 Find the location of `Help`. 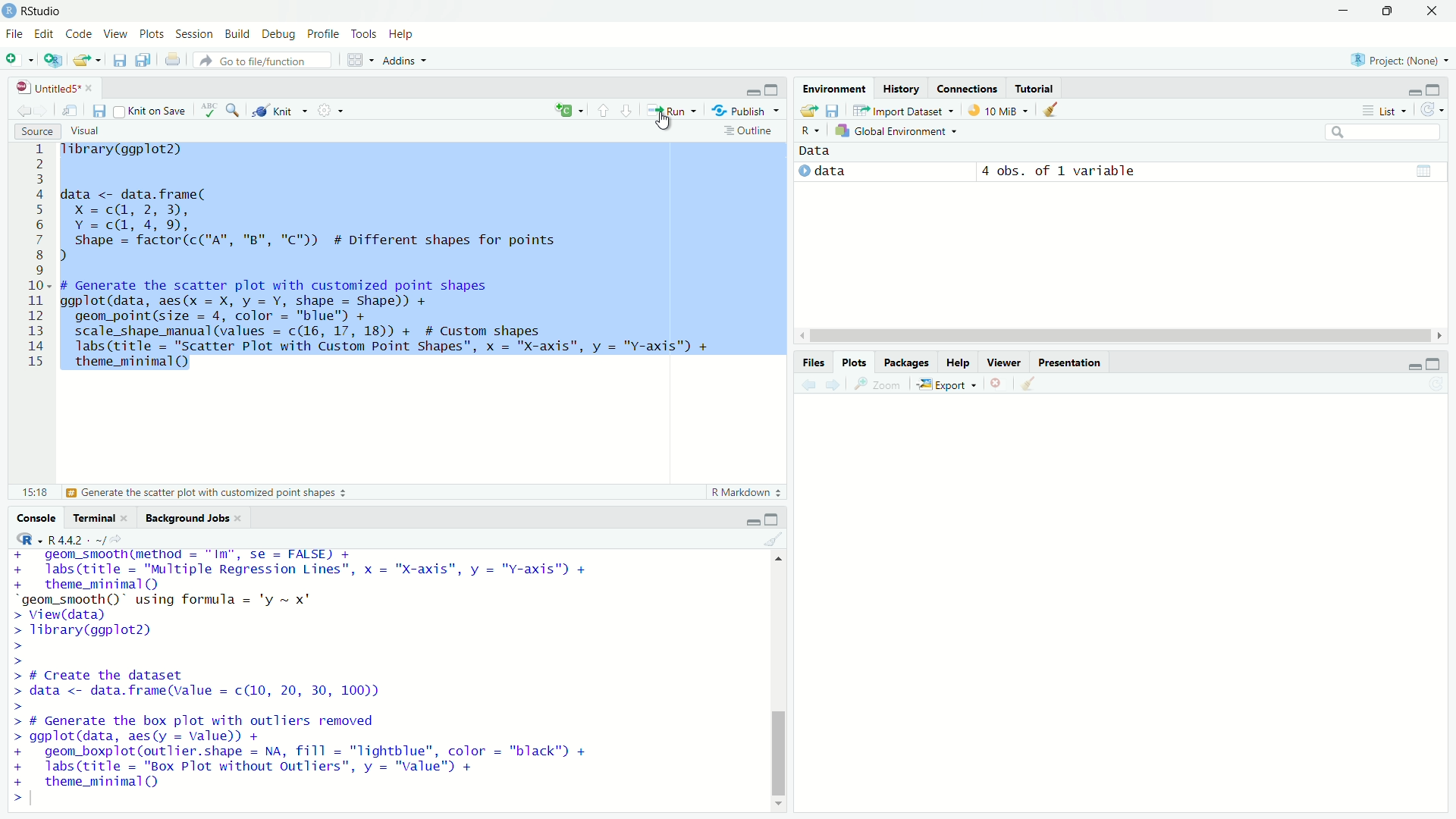

Help is located at coordinates (958, 362).